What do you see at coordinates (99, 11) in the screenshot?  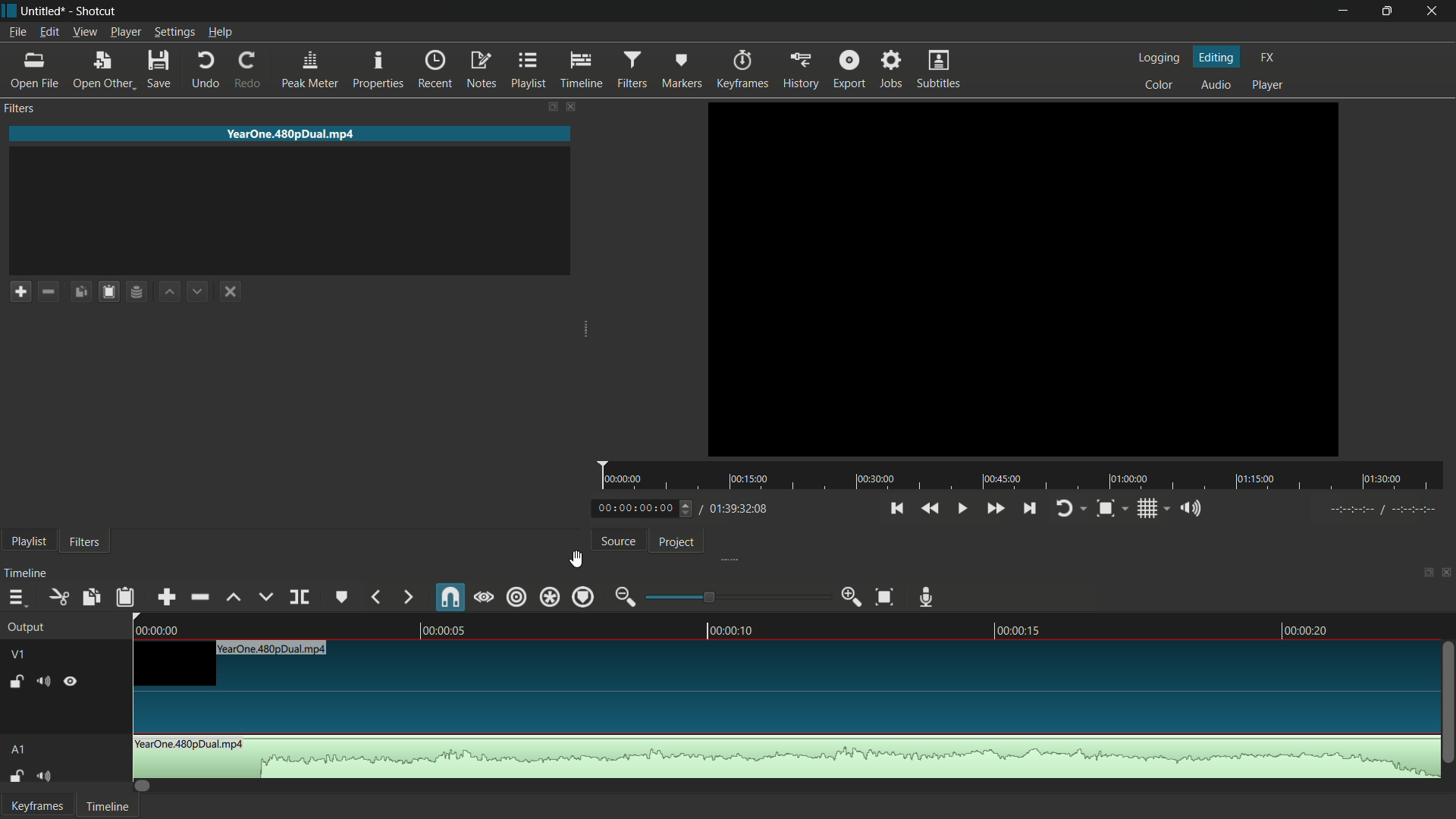 I see `app name` at bounding box center [99, 11].